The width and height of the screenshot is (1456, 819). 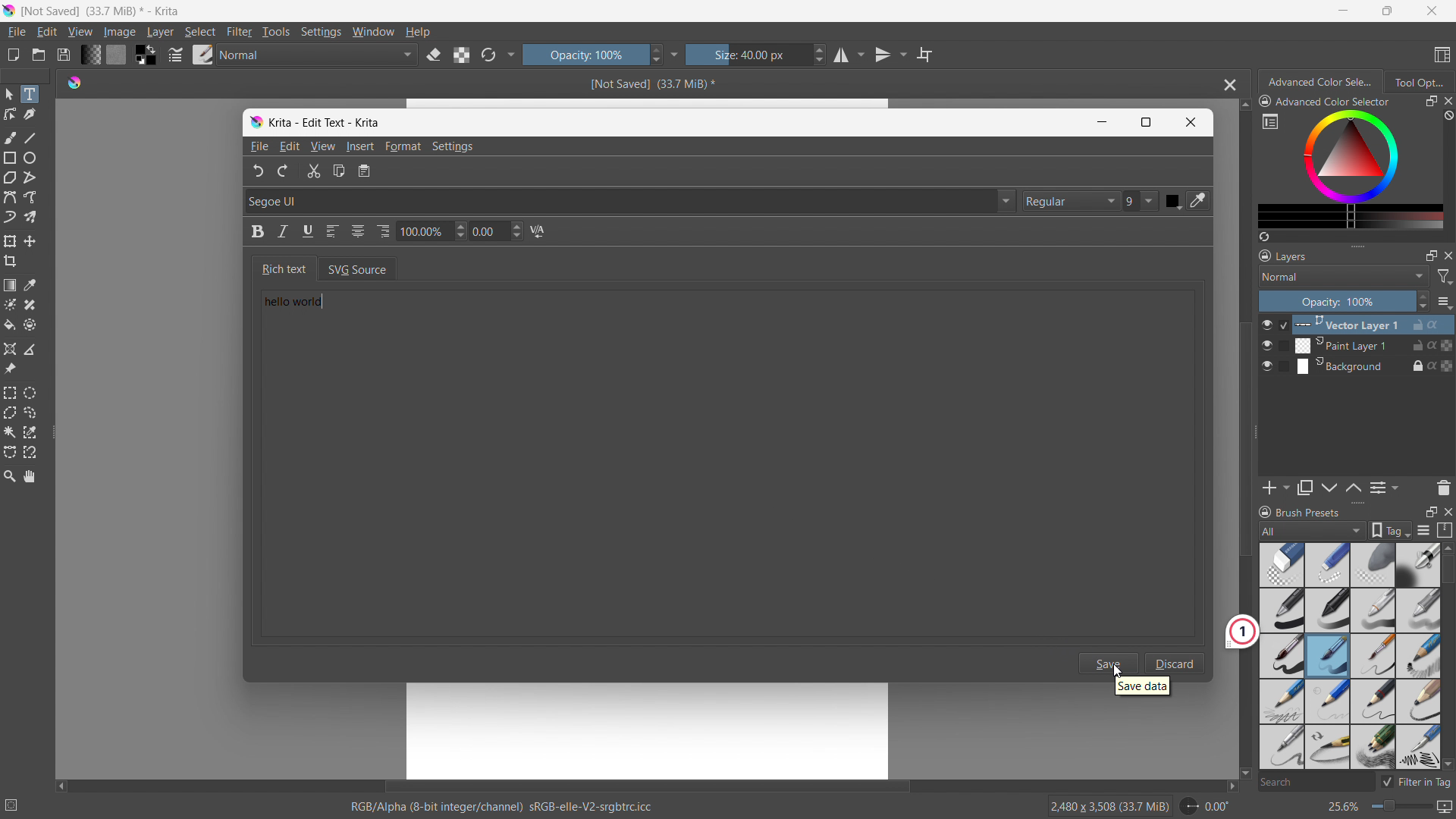 What do you see at coordinates (253, 171) in the screenshot?
I see `undo` at bounding box center [253, 171].